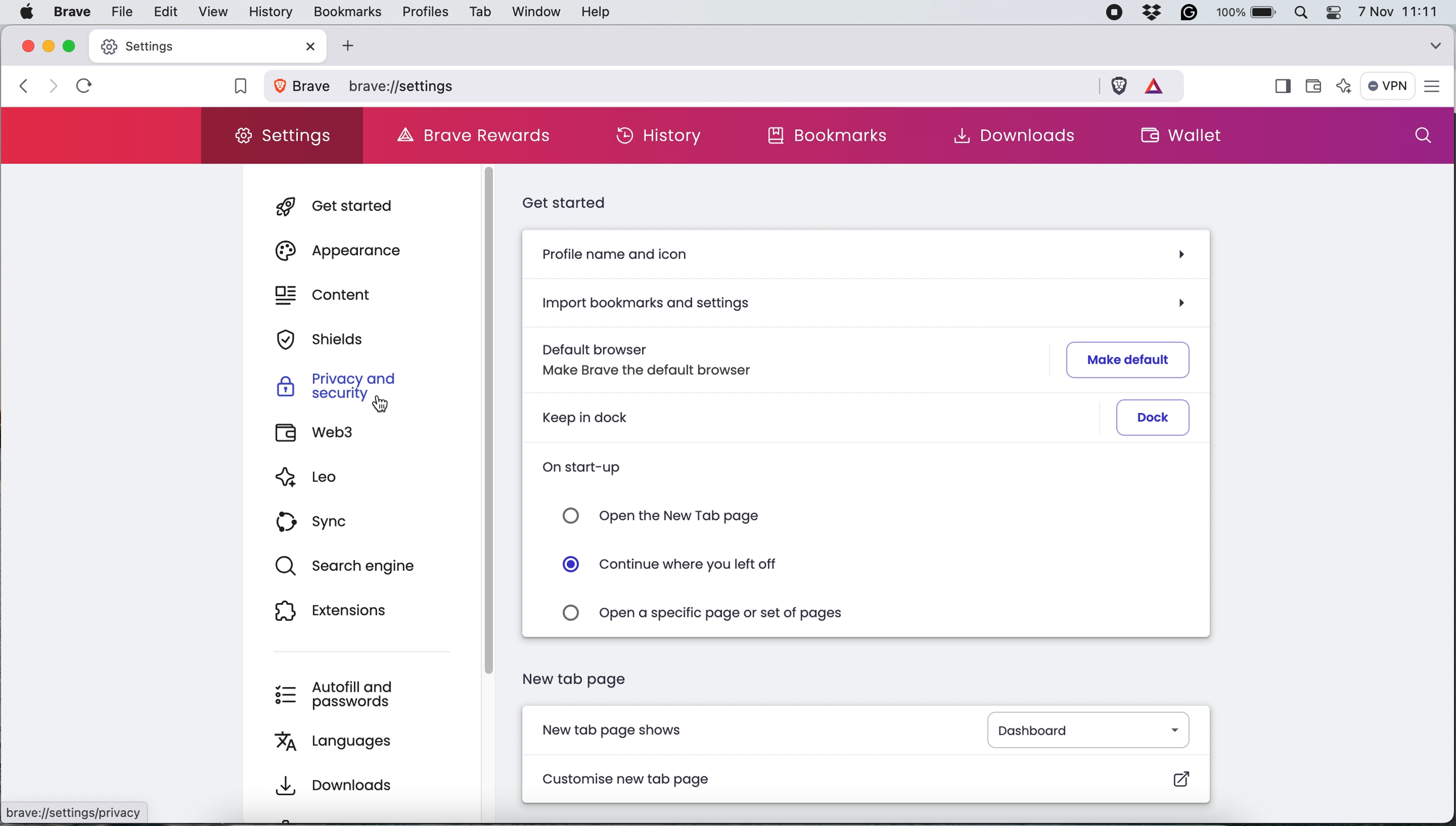 This screenshot has height=826, width=1456. What do you see at coordinates (328, 295) in the screenshot?
I see `content` at bounding box center [328, 295].